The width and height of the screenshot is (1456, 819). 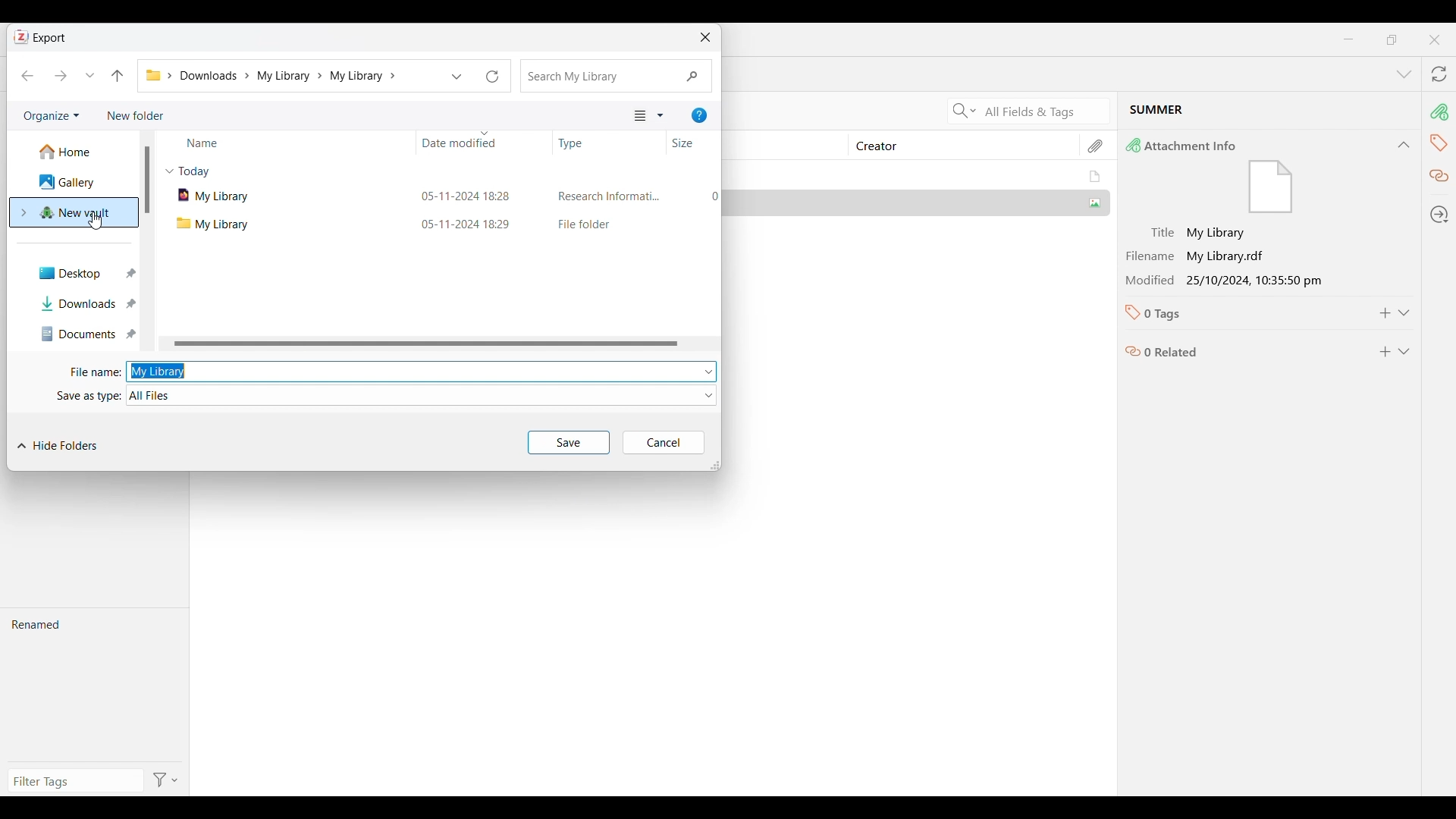 What do you see at coordinates (76, 152) in the screenshot?
I see `Home` at bounding box center [76, 152].